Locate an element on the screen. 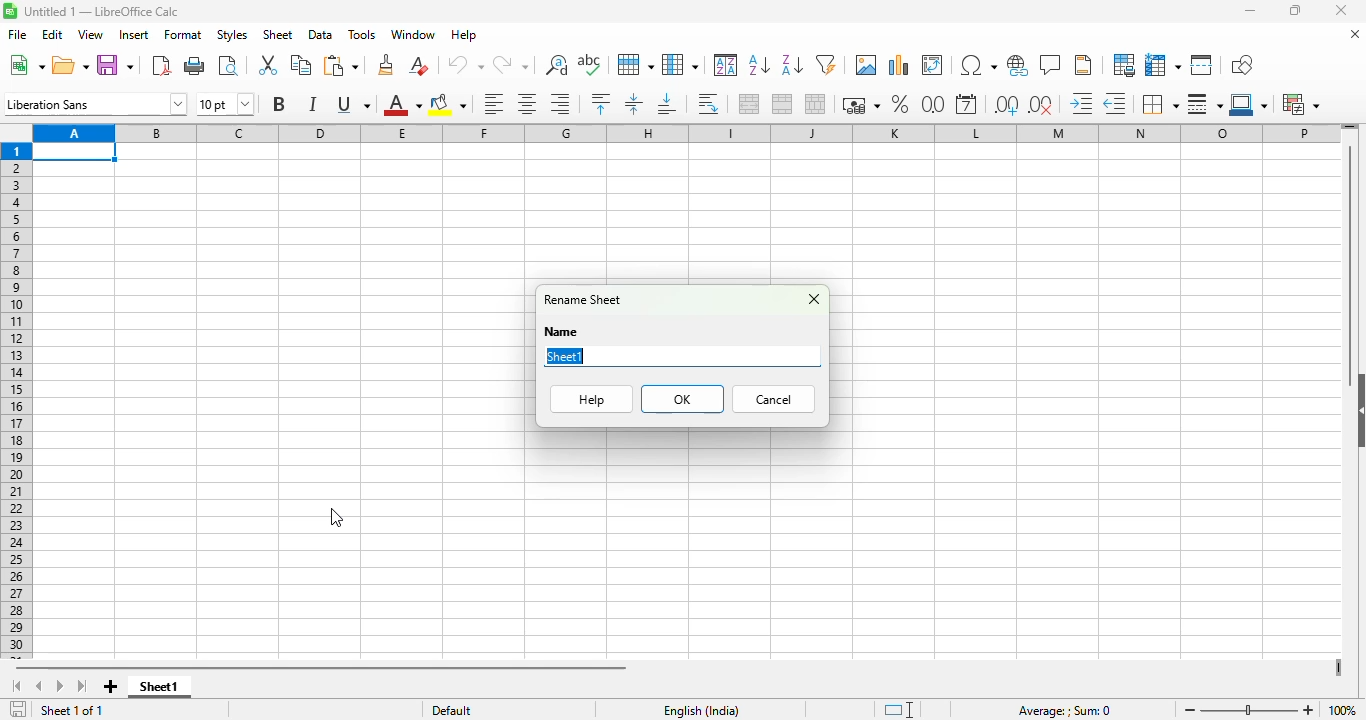  OK is located at coordinates (682, 399).